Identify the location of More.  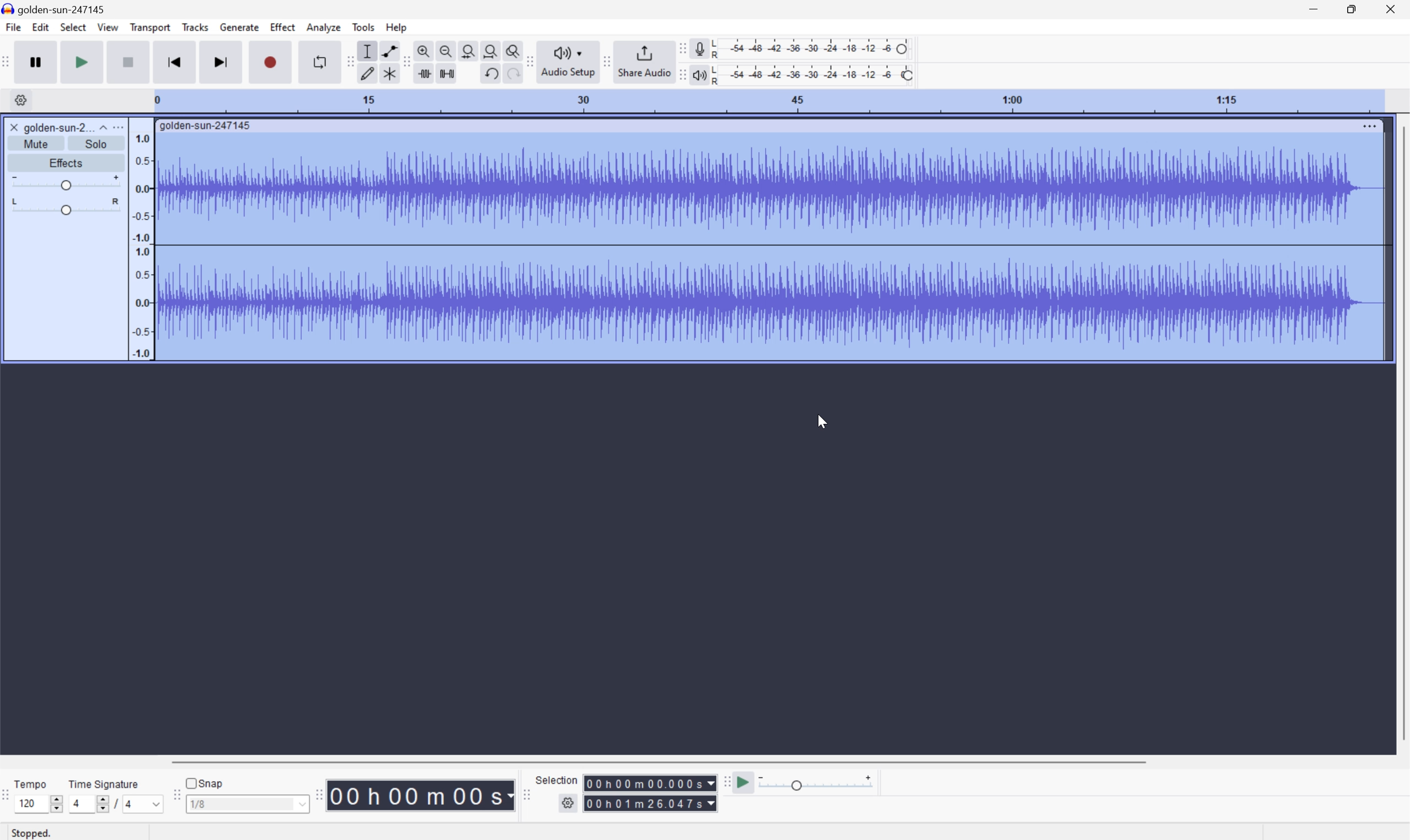
(1368, 125).